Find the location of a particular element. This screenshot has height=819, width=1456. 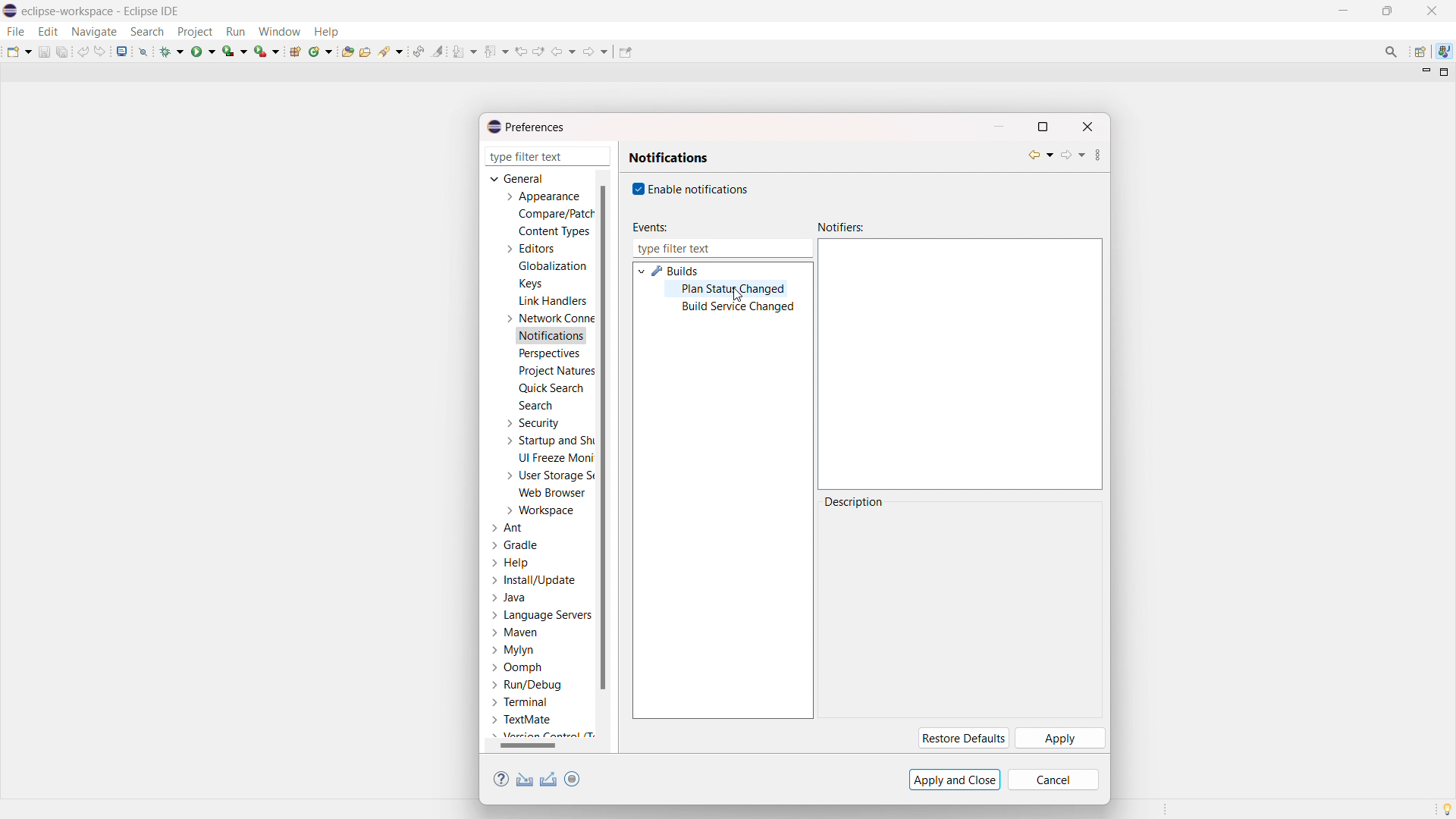

type filter text is located at coordinates (722, 249).